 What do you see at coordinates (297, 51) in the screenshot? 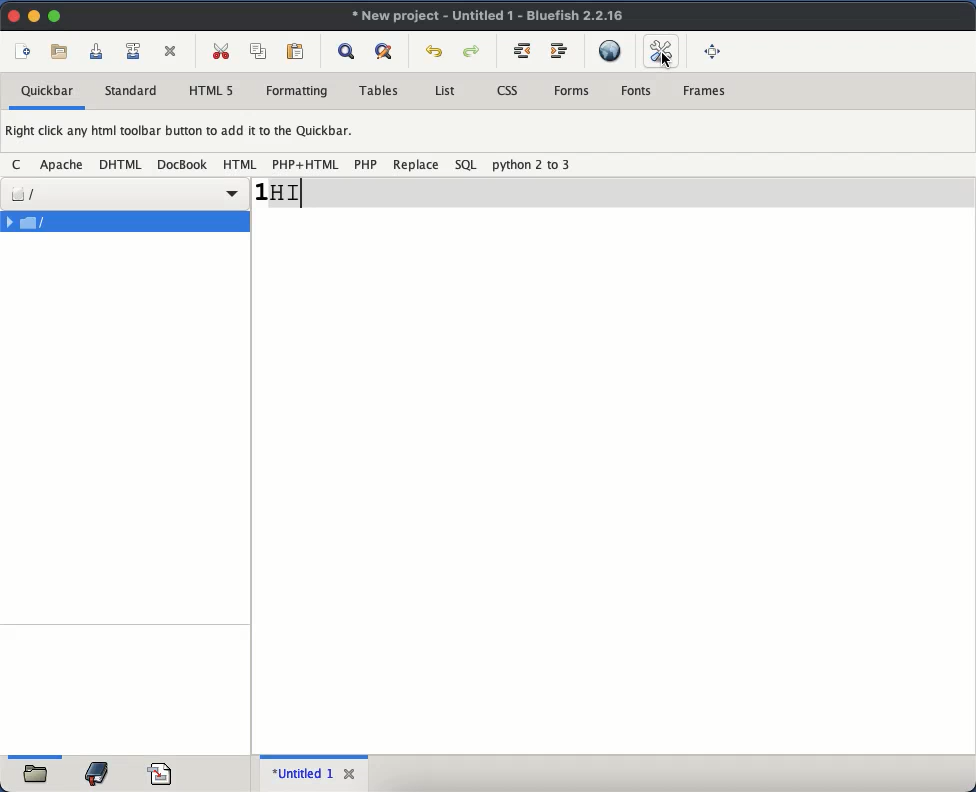
I see `paste` at bounding box center [297, 51].